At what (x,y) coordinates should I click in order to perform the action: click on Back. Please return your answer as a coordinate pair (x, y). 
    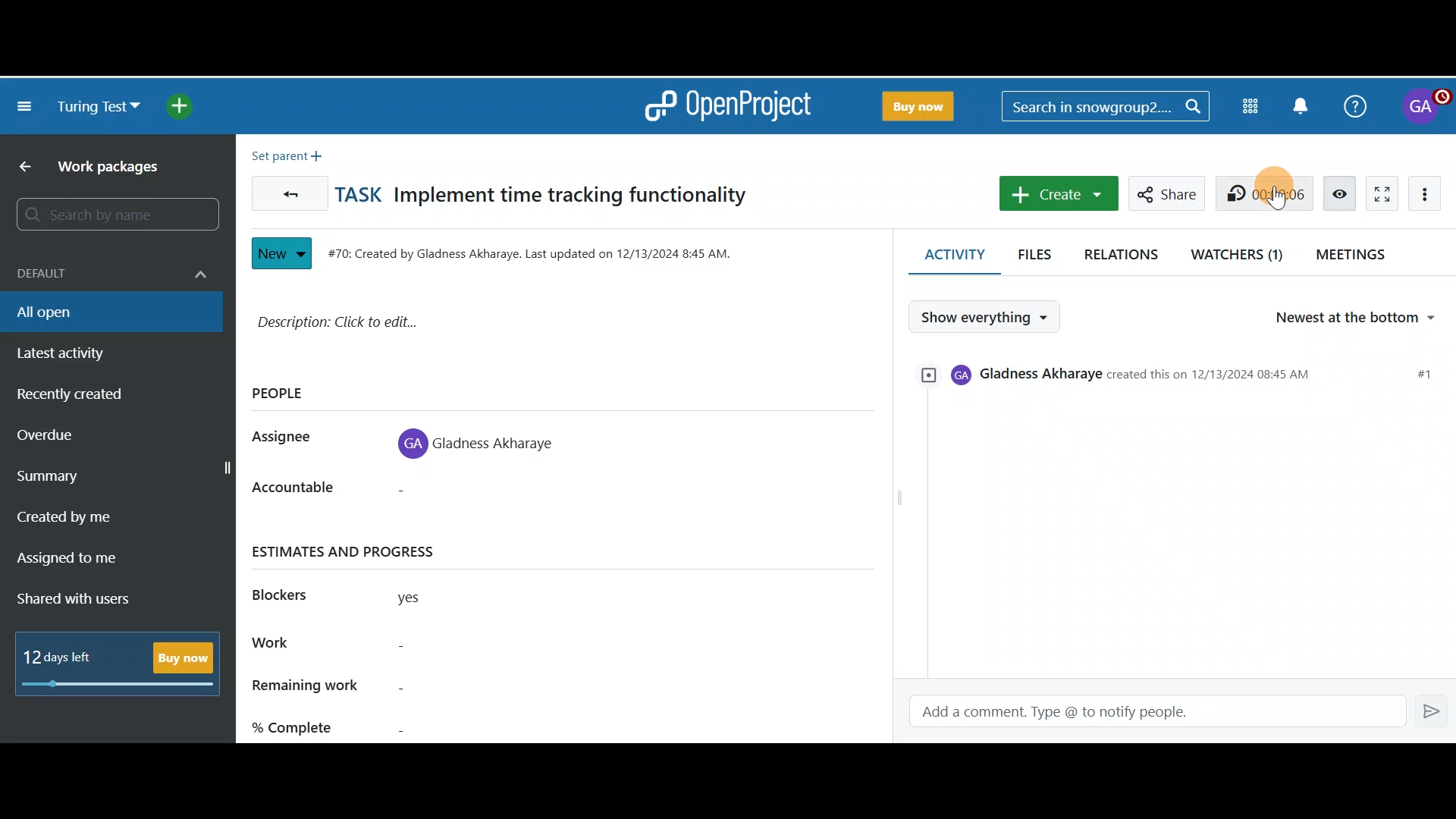
    Looking at the image, I should click on (286, 190).